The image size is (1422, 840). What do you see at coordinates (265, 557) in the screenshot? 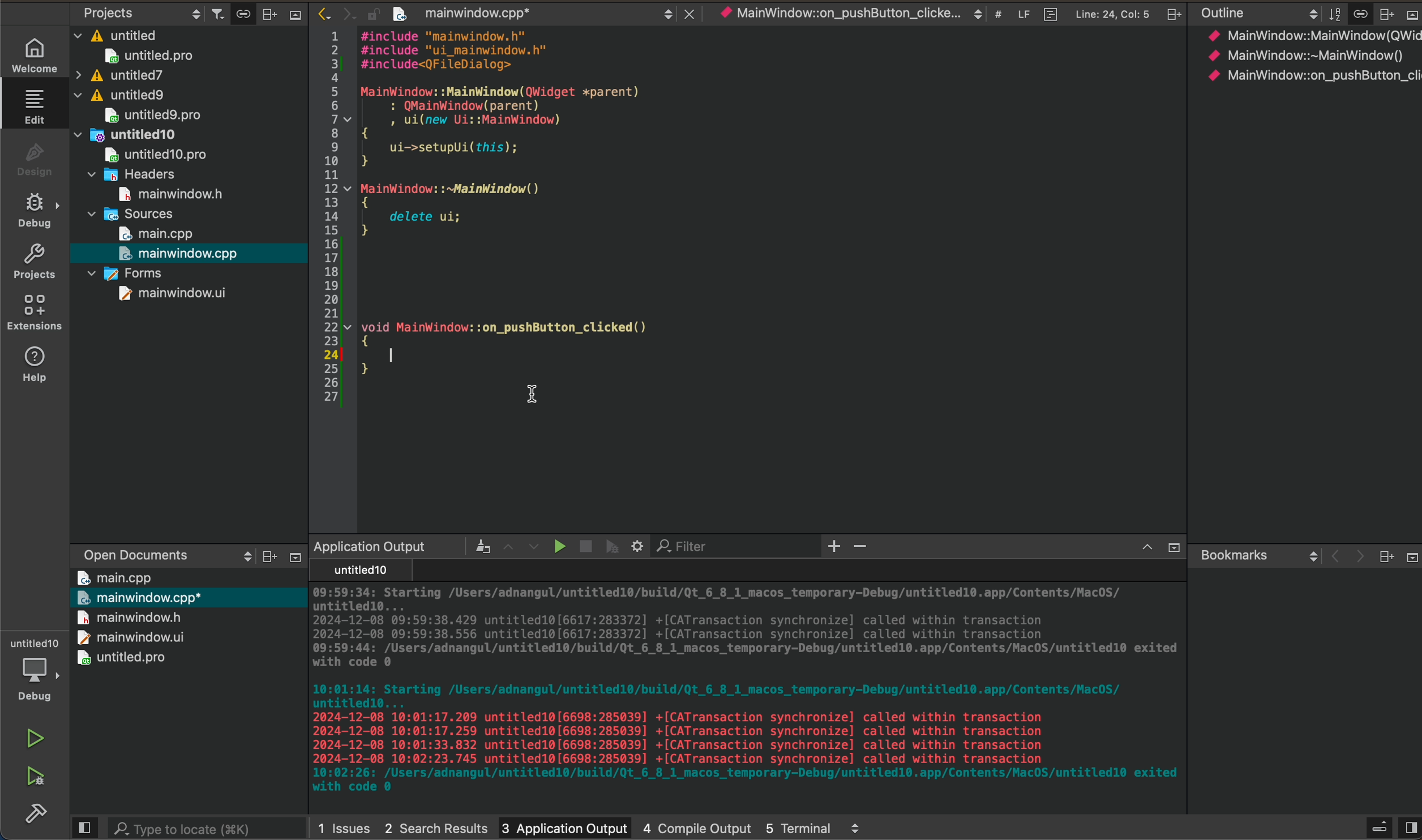
I see `` at bounding box center [265, 557].